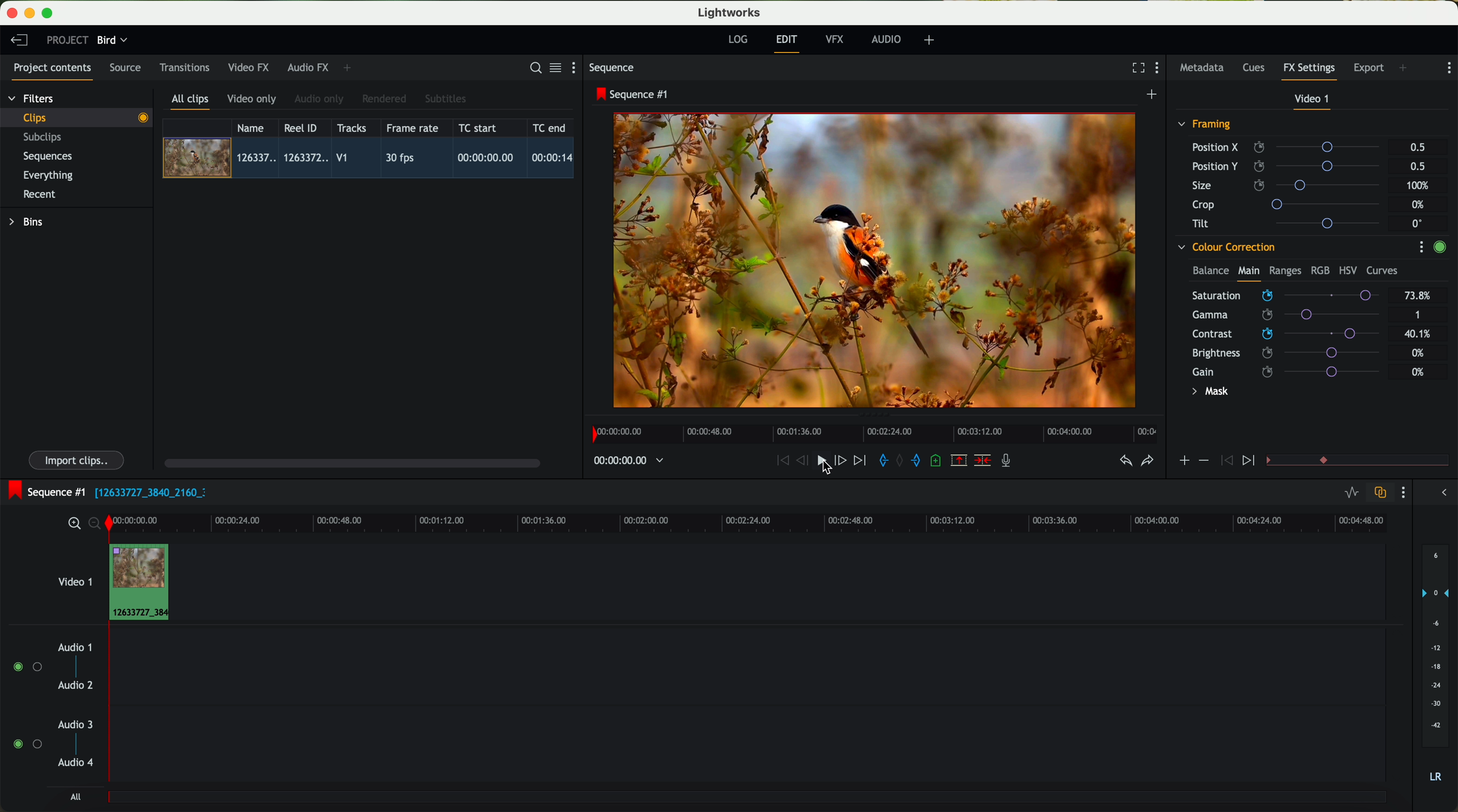 Image resolution: width=1458 pixels, height=812 pixels. I want to click on add, remove and create layouts, so click(931, 40).